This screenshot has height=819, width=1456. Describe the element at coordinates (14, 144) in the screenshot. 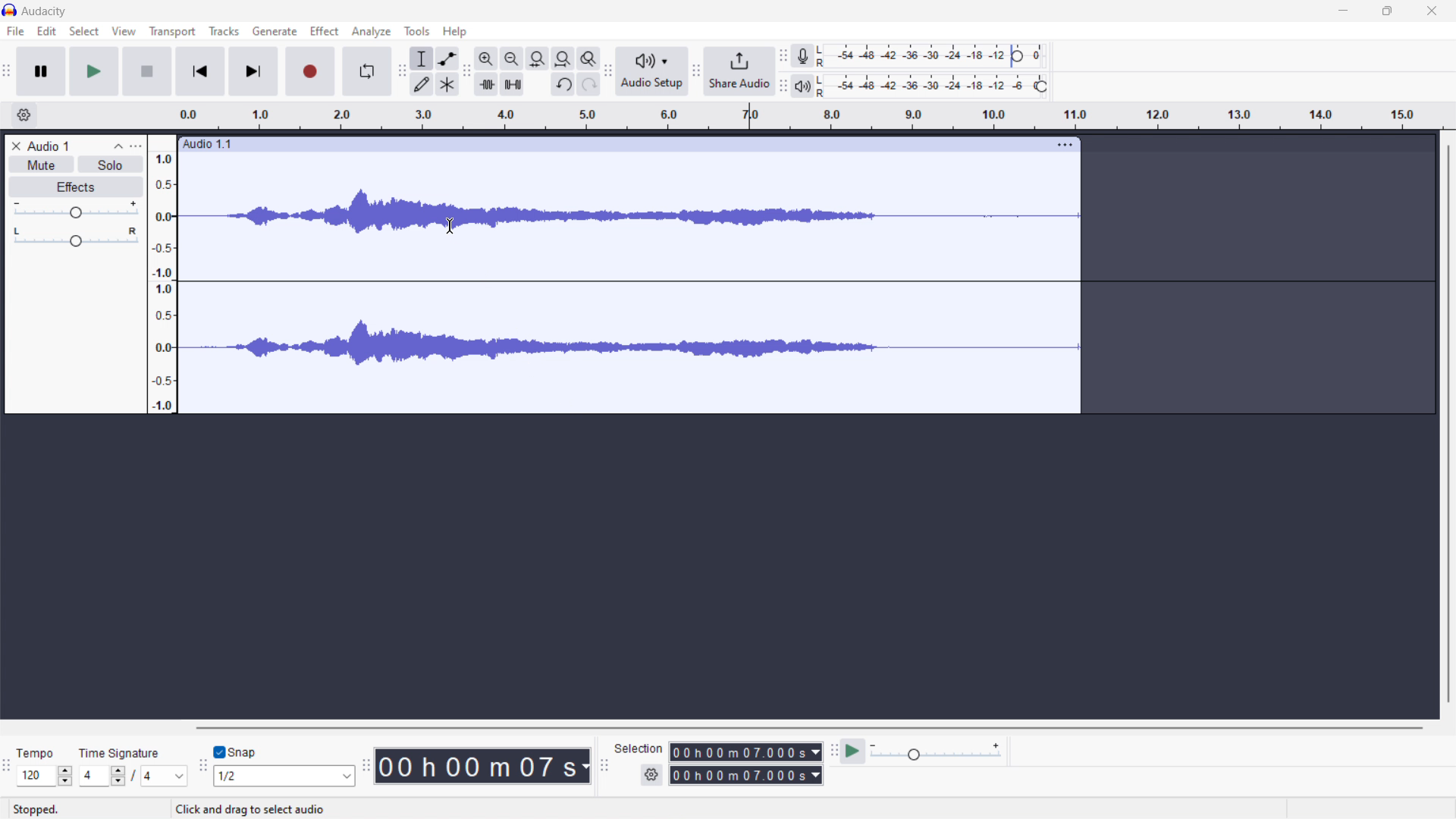

I see `close audio` at that location.